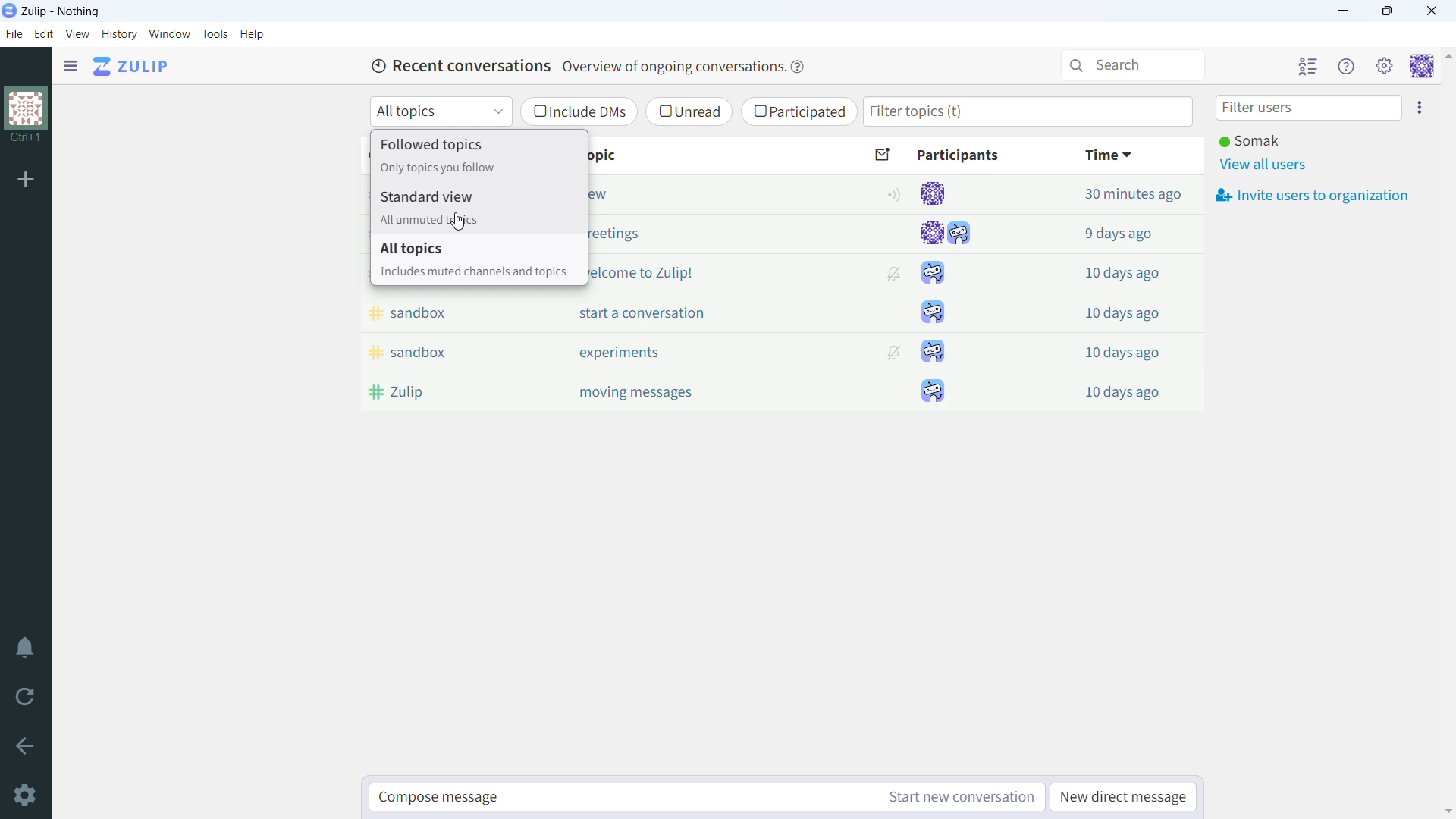  Describe the element at coordinates (679, 390) in the screenshot. I see `moving messages` at that location.